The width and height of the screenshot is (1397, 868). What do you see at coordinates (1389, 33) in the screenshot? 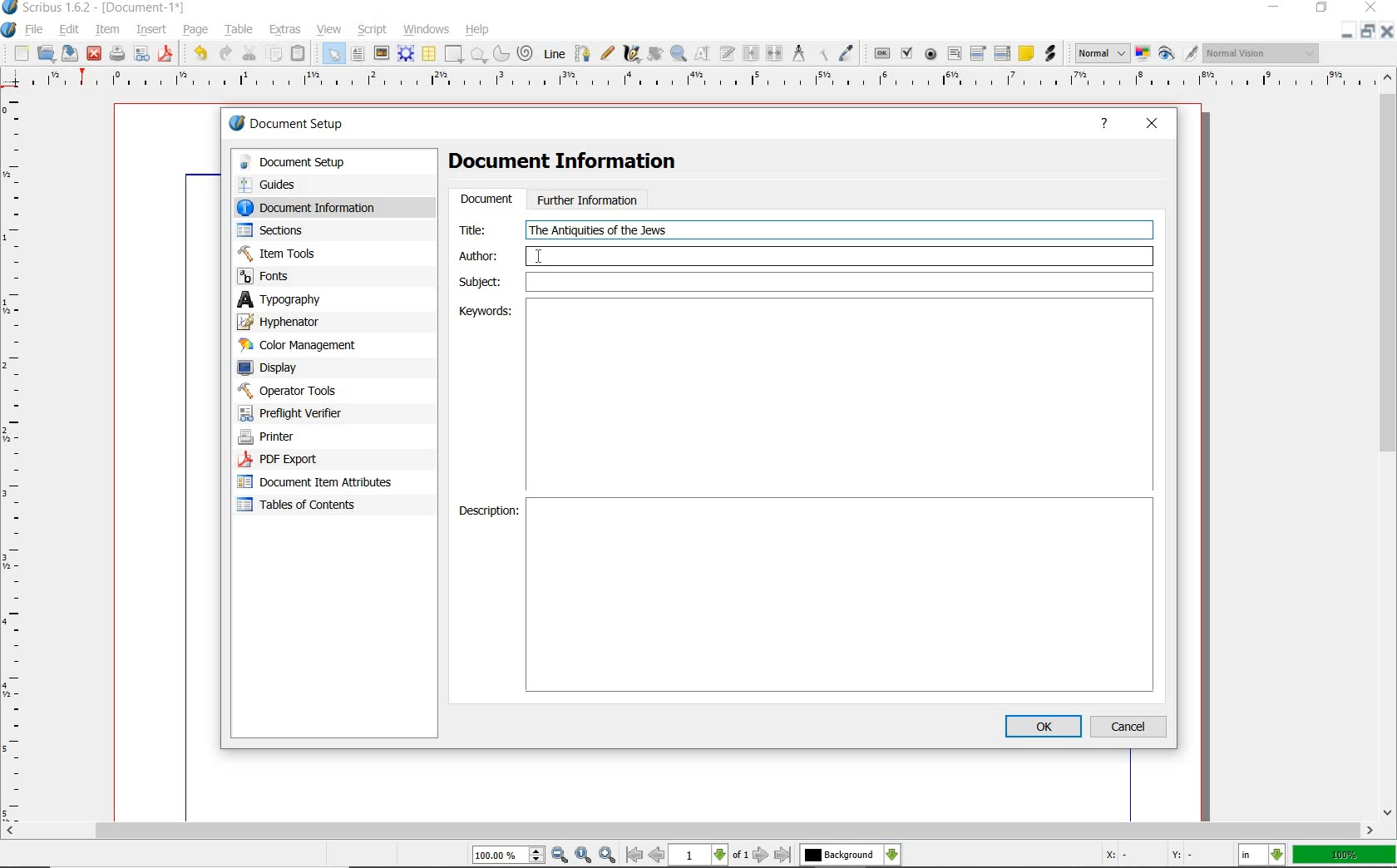
I see `close` at bounding box center [1389, 33].